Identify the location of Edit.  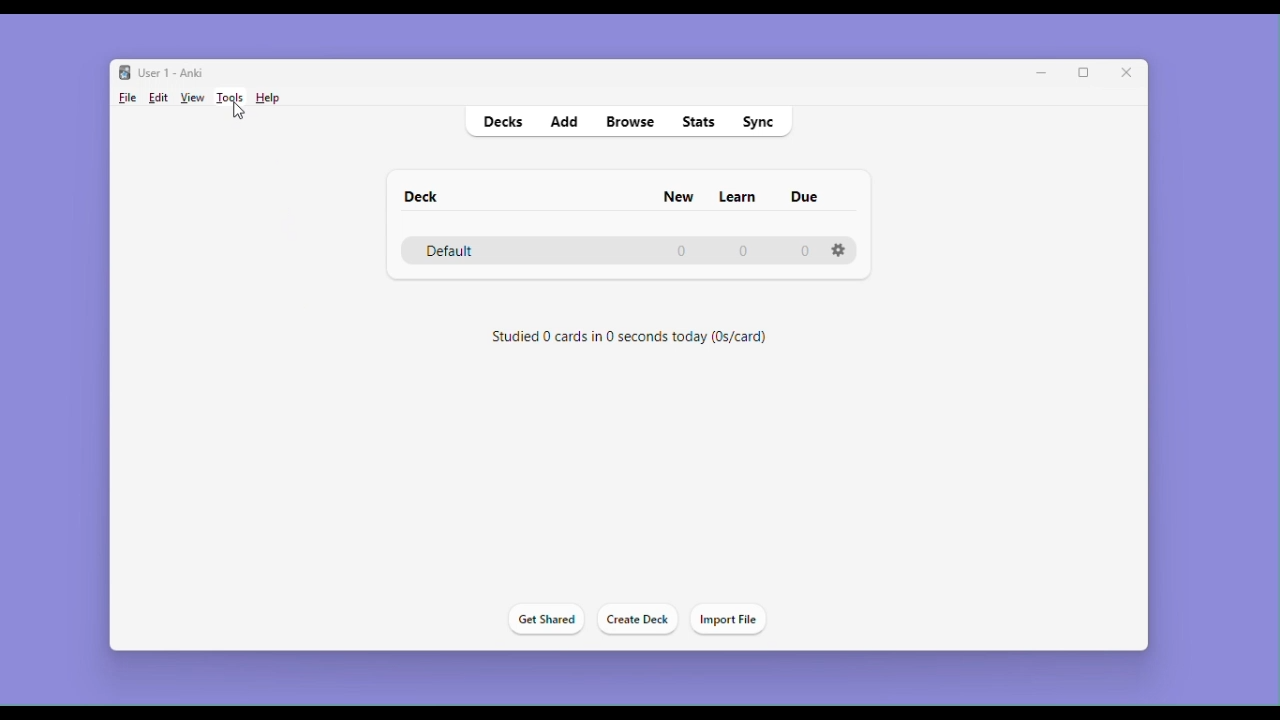
(158, 98).